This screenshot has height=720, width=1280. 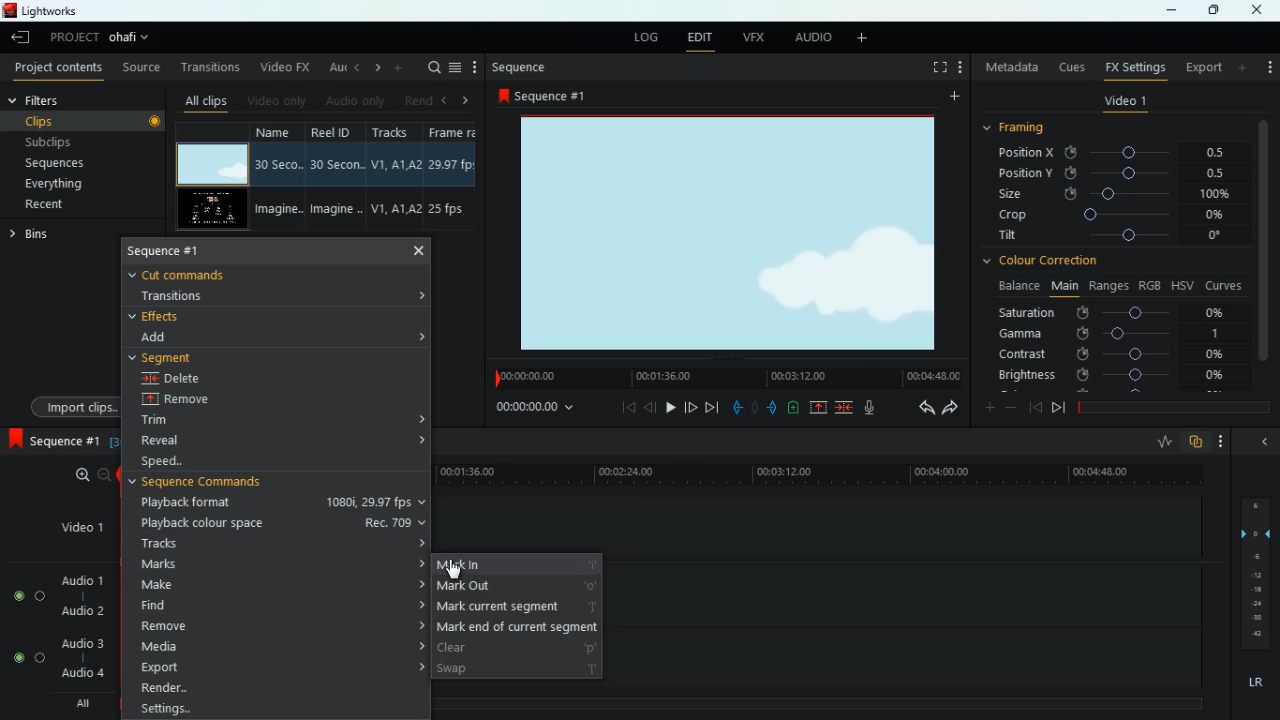 What do you see at coordinates (283, 67) in the screenshot?
I see `video fx` at bounding box center [283, 67].